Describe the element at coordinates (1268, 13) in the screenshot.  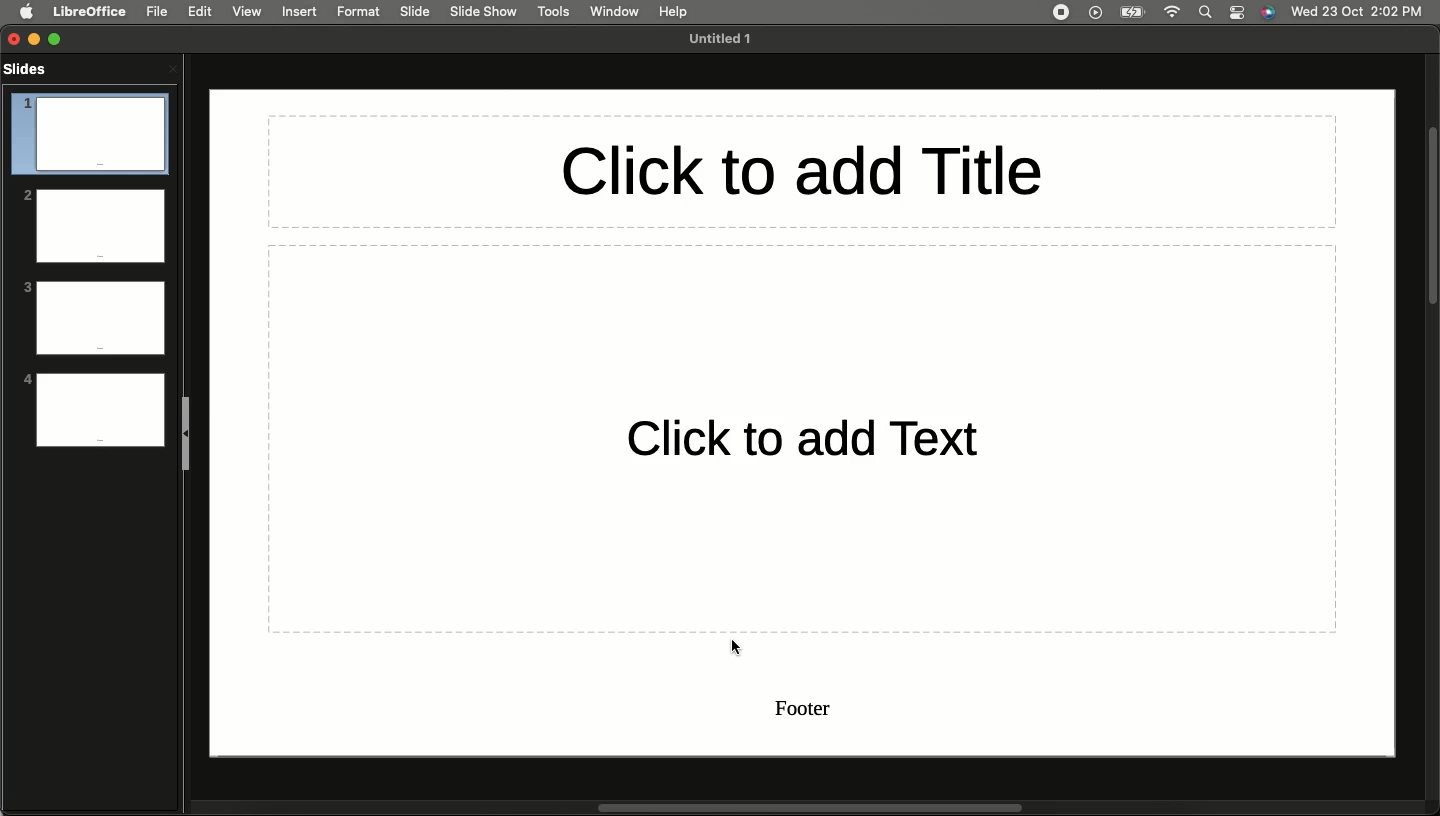
I see `Voice control` at that location.